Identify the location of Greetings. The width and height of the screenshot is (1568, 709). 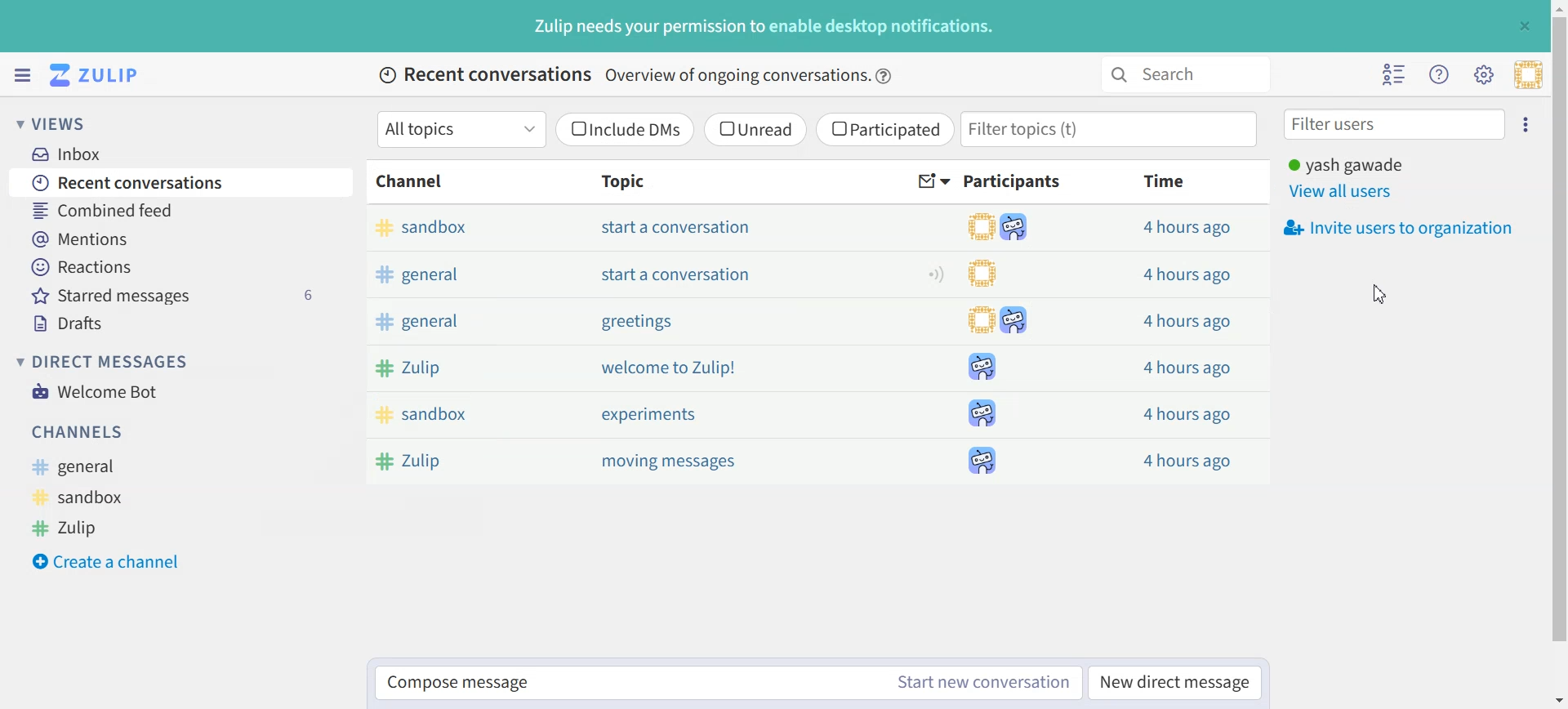
(635, 323).